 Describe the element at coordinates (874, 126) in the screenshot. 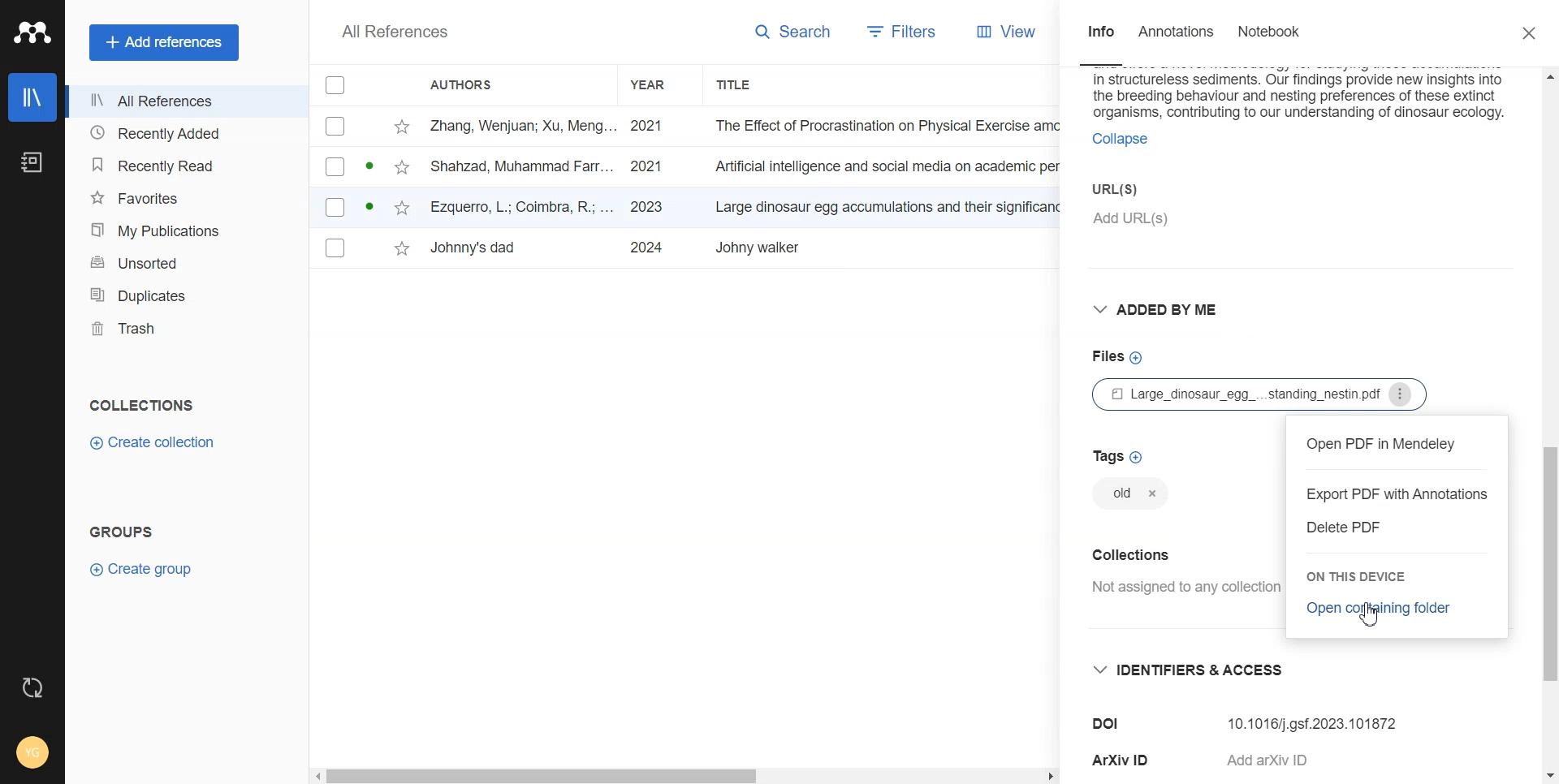

I see `Title` at that location.